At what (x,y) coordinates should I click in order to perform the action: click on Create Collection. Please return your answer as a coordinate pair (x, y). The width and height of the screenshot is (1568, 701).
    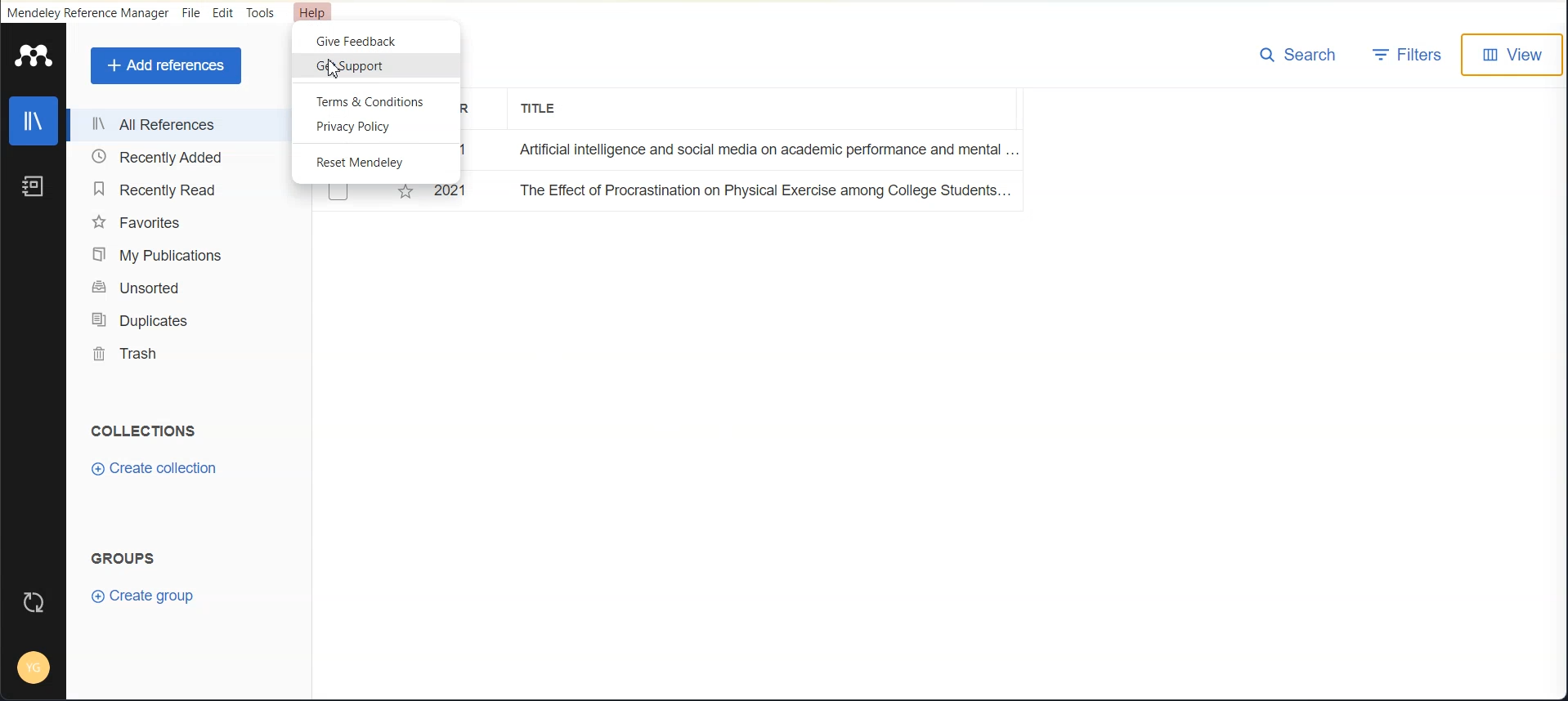
    Looking at the image, I should click on (154, 469).